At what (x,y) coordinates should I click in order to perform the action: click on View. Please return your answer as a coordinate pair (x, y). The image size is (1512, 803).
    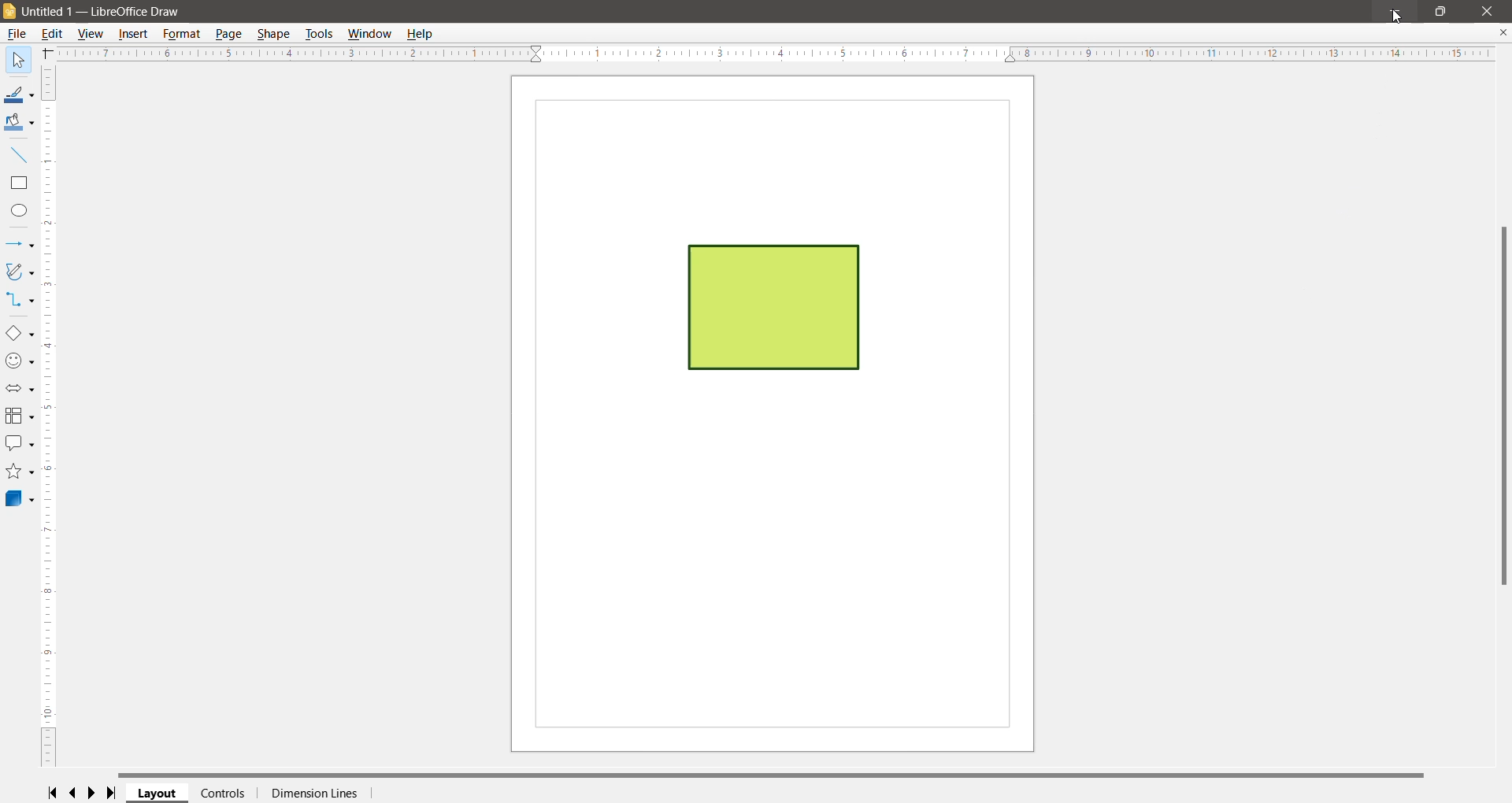
    Looking at the image, I should click on (93, 34).